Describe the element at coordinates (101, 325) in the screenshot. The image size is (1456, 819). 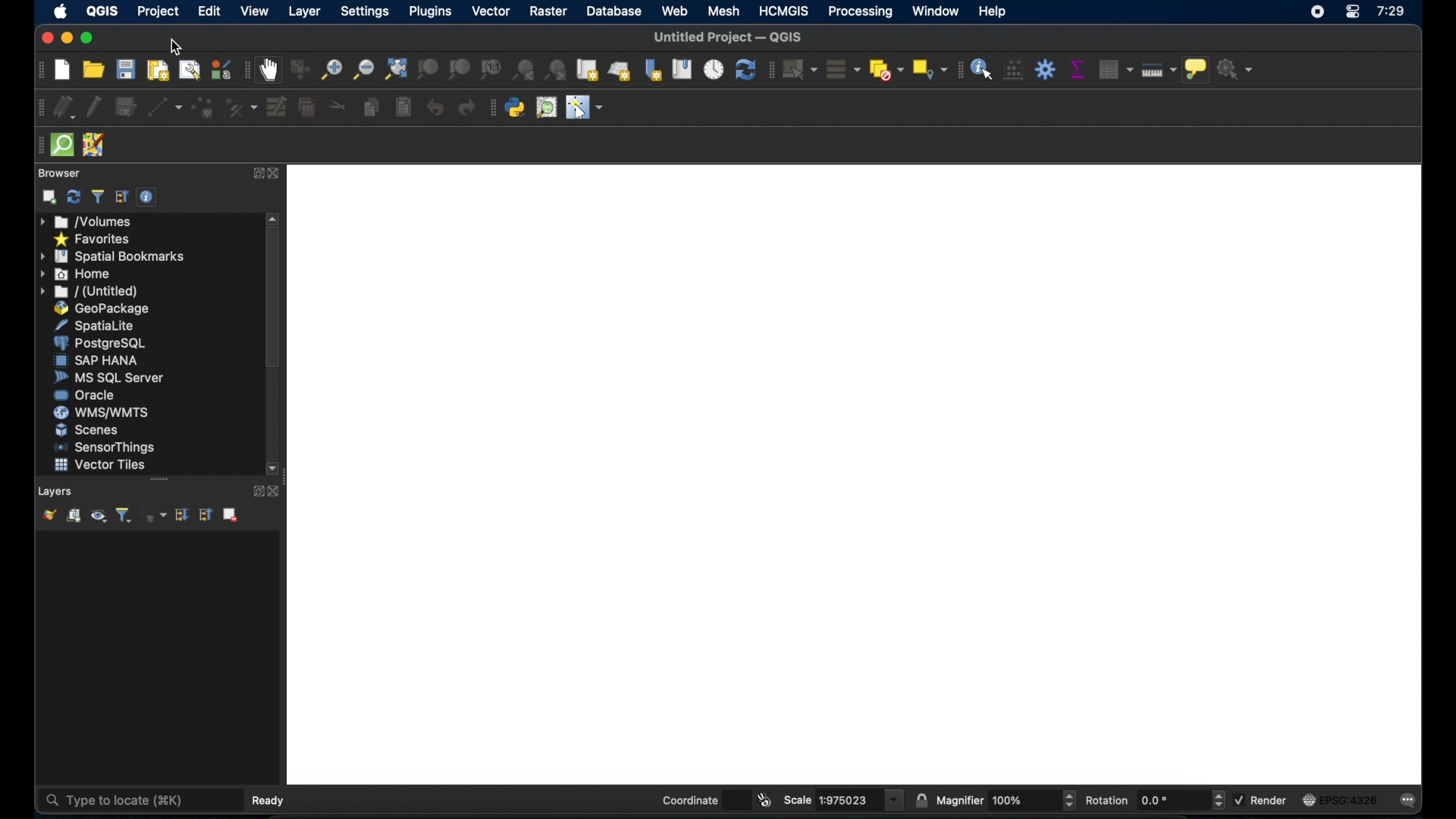
I see `spatiallite` at that location.